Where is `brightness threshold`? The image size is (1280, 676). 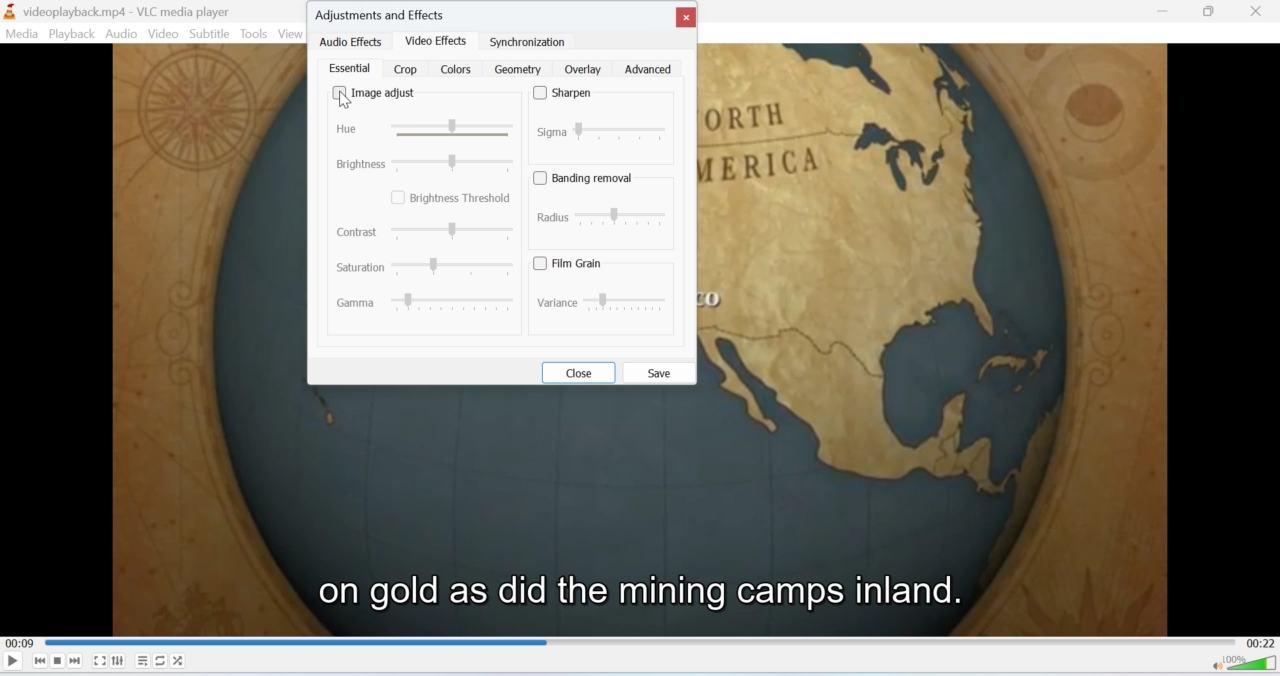
brightness threshold is located at coordinates (455, 197).